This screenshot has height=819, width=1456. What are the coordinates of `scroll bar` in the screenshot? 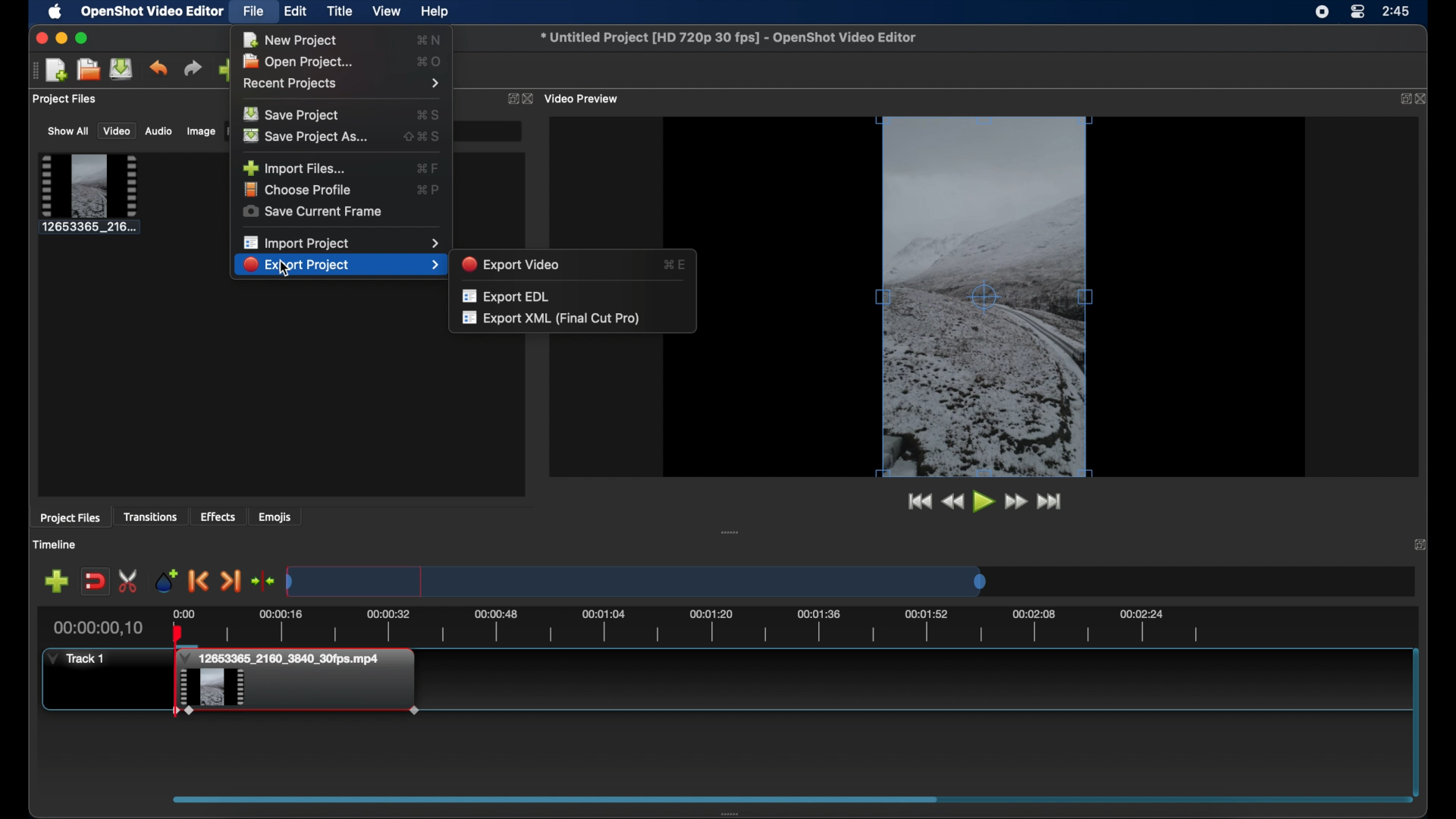 It's located at (1415, 719).